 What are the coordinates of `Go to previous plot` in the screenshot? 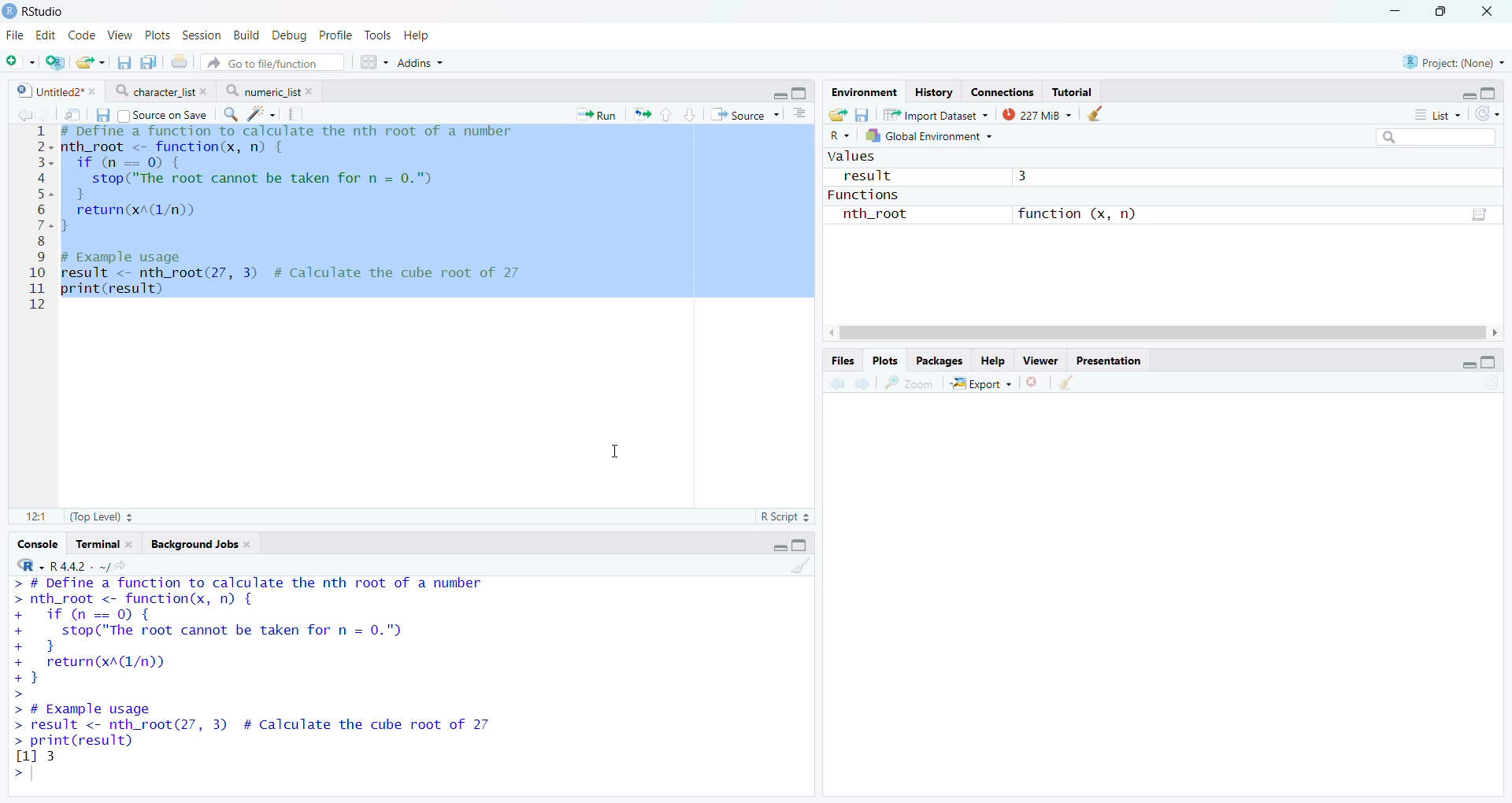 It's located at (836, 382).